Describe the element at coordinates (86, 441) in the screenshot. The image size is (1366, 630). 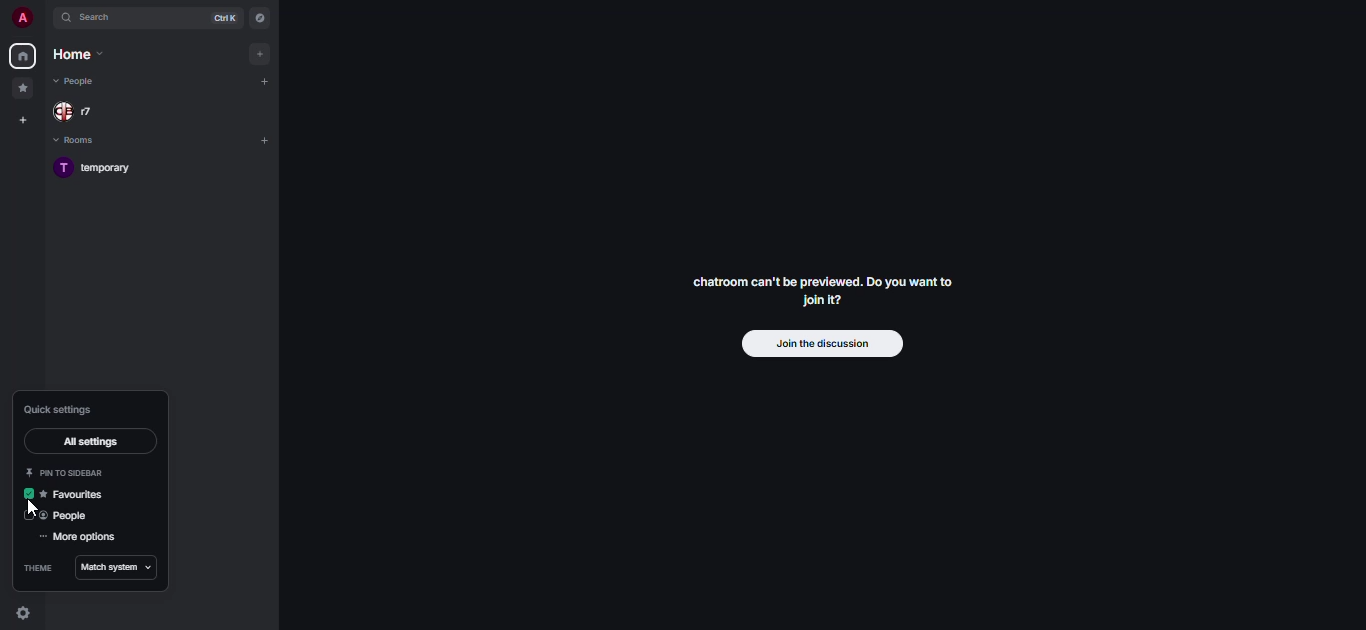
I see `all settings` at that location.